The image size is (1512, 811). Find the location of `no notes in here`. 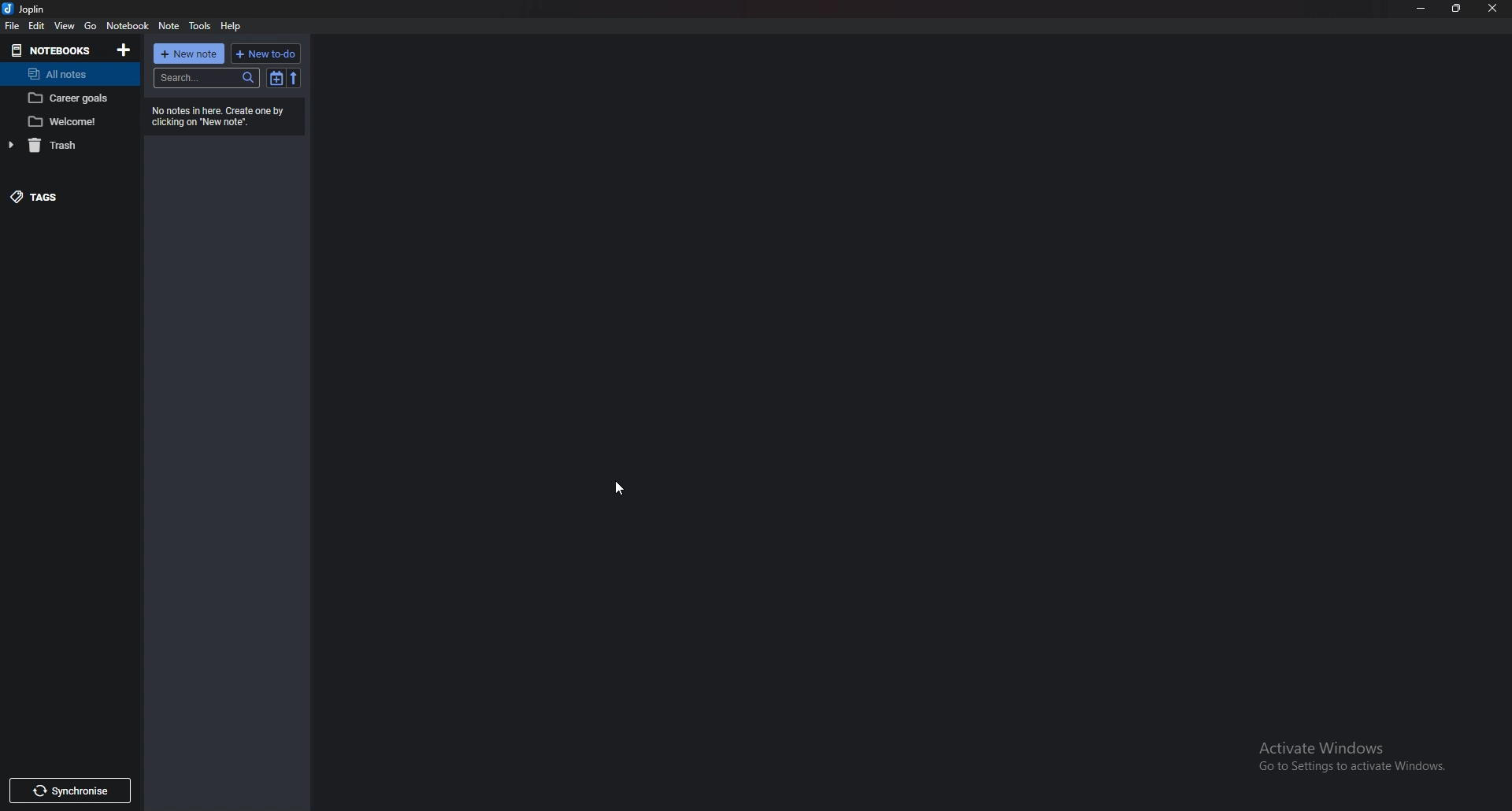

no notes in here is located at coordinates (227, 115).